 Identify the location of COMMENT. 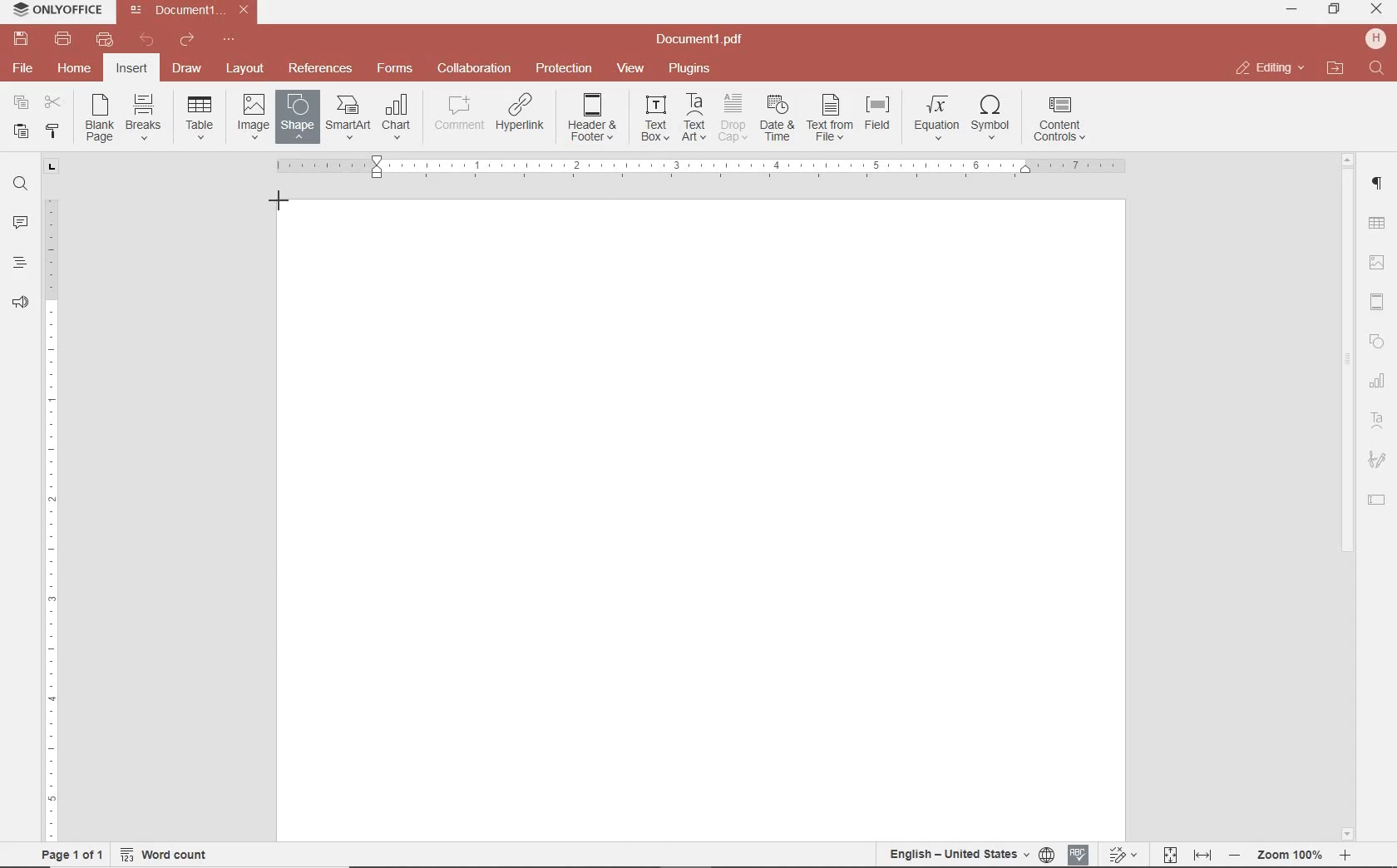
(461, 113).